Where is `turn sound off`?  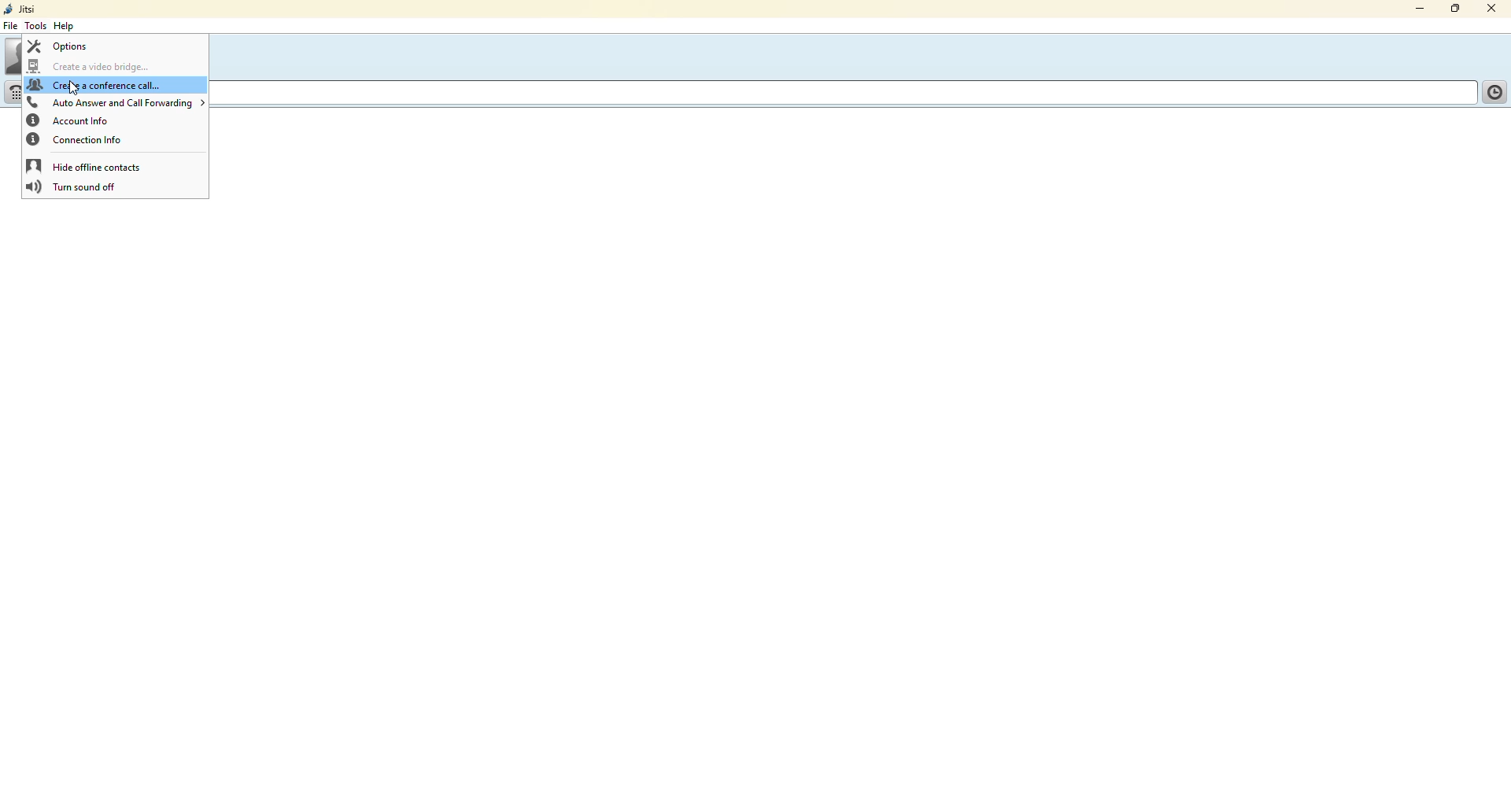 turn sound off is located at coordinates (71, 186).